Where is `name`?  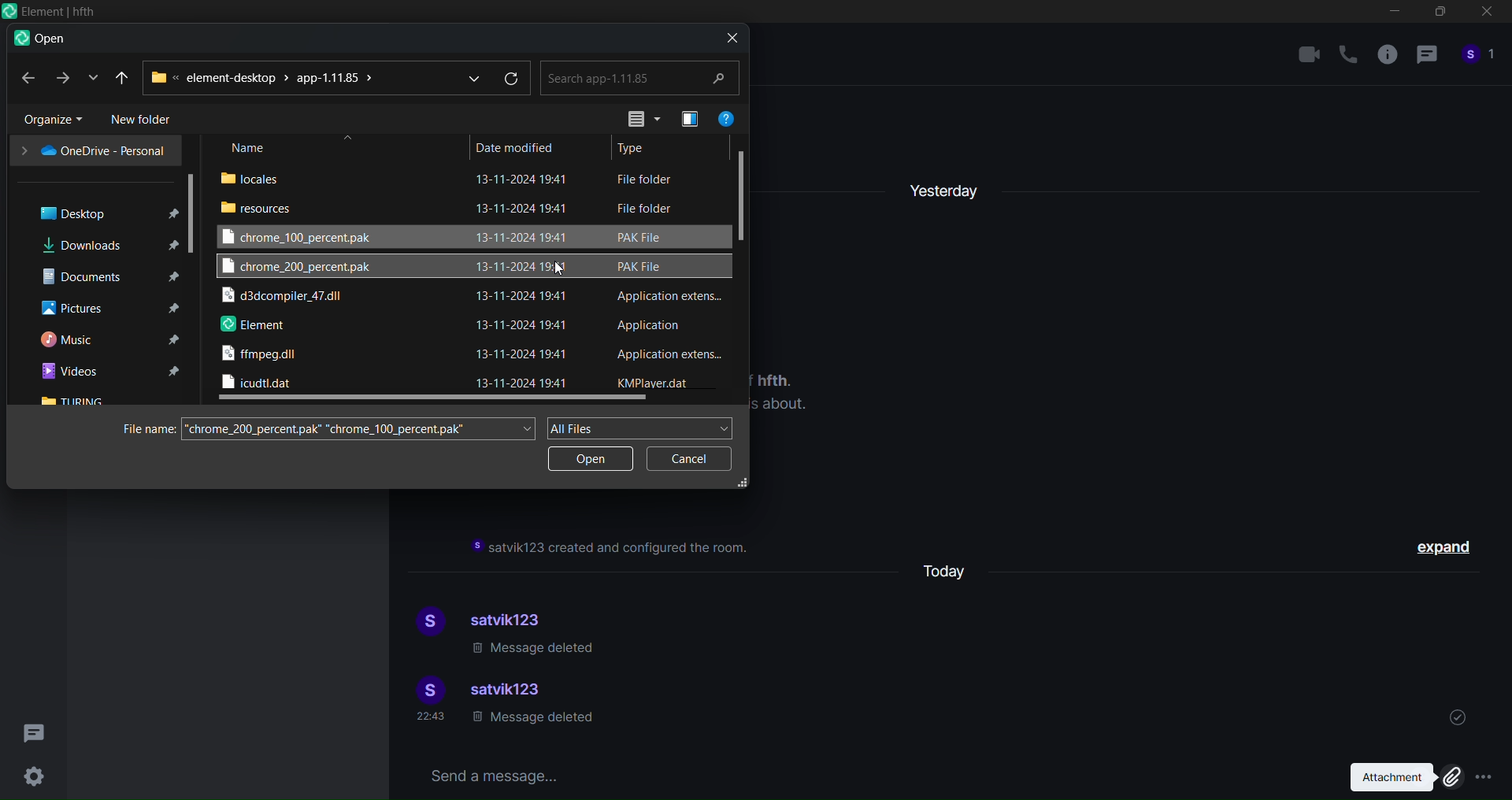
name is located at coordinates (250, 148).